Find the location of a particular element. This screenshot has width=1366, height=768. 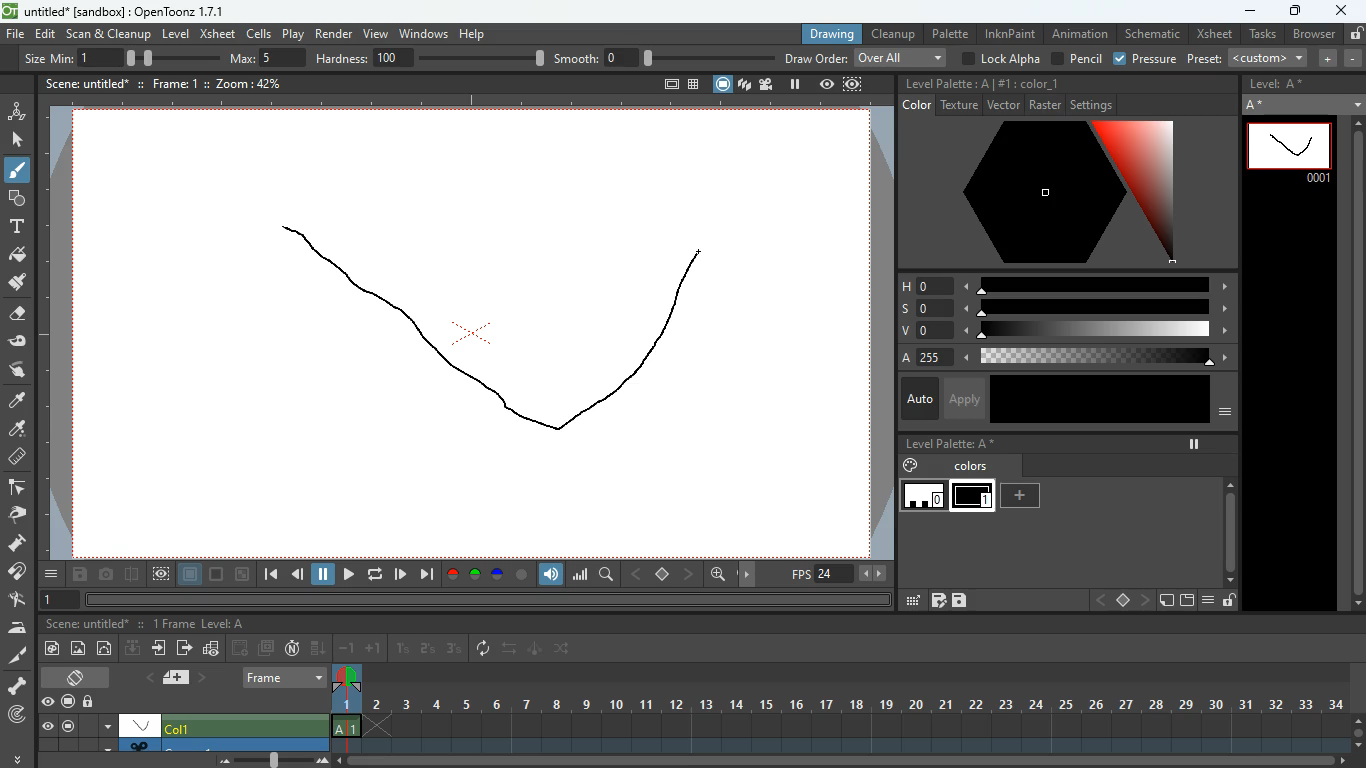

view is located at coordinates (47, 726).